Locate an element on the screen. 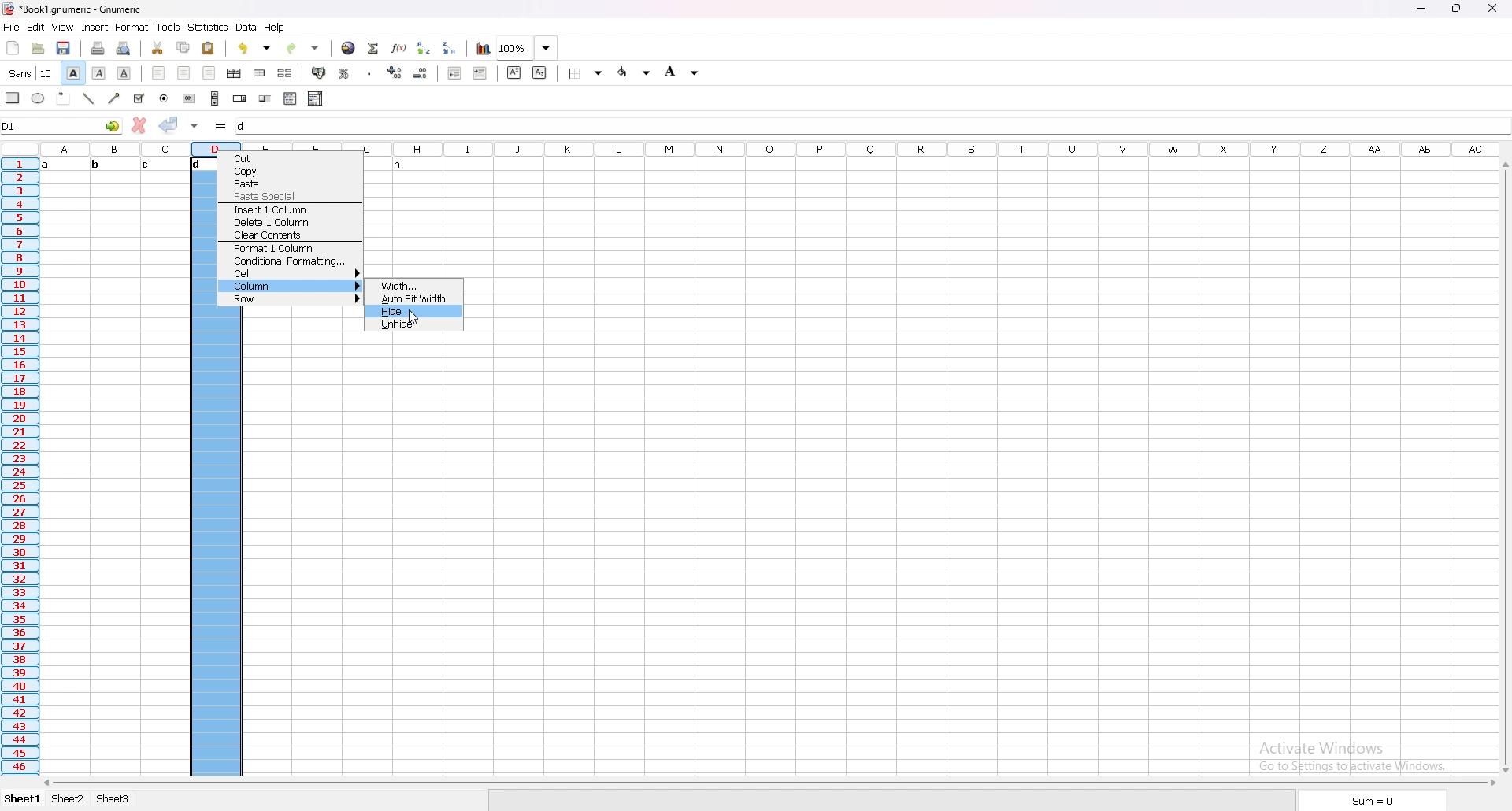 The height and width of the screenshot is (811, 1512). increase indent is located at coordinates (480, 73).